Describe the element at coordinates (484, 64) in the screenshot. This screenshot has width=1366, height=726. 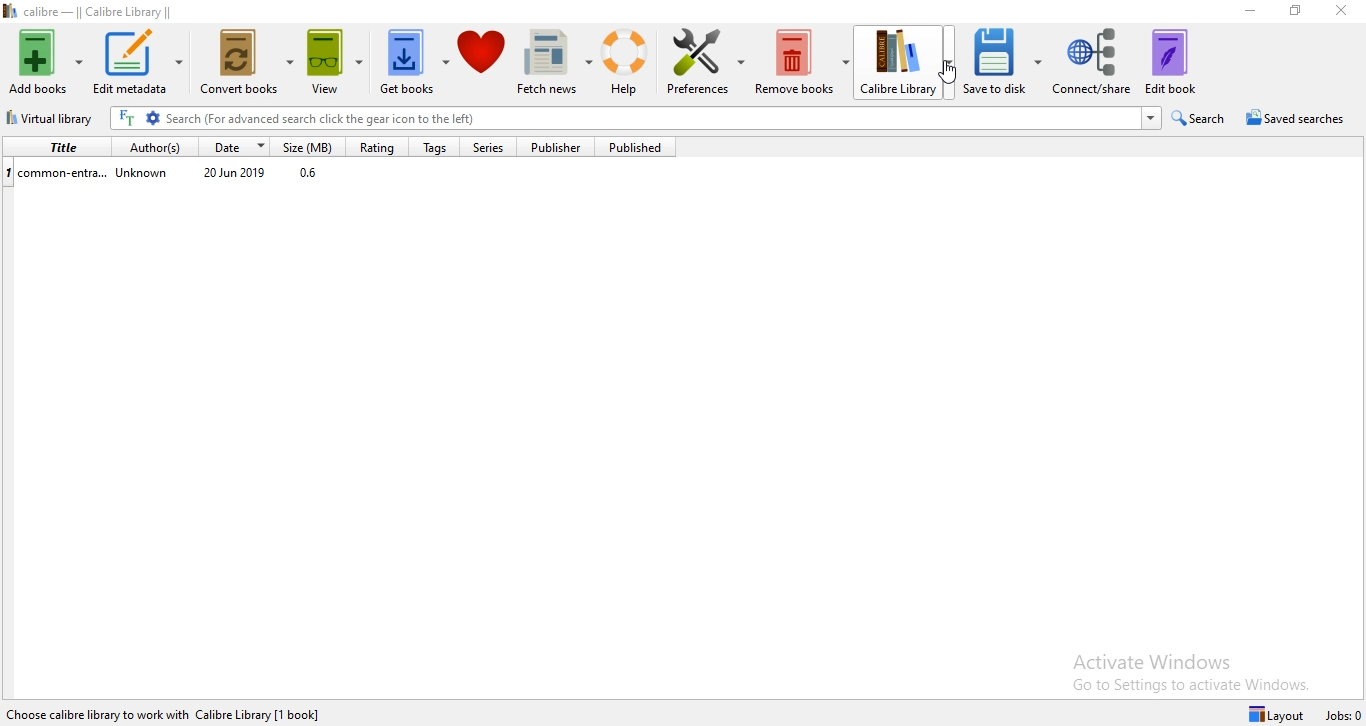
I see `Donate to calibre` at that location.